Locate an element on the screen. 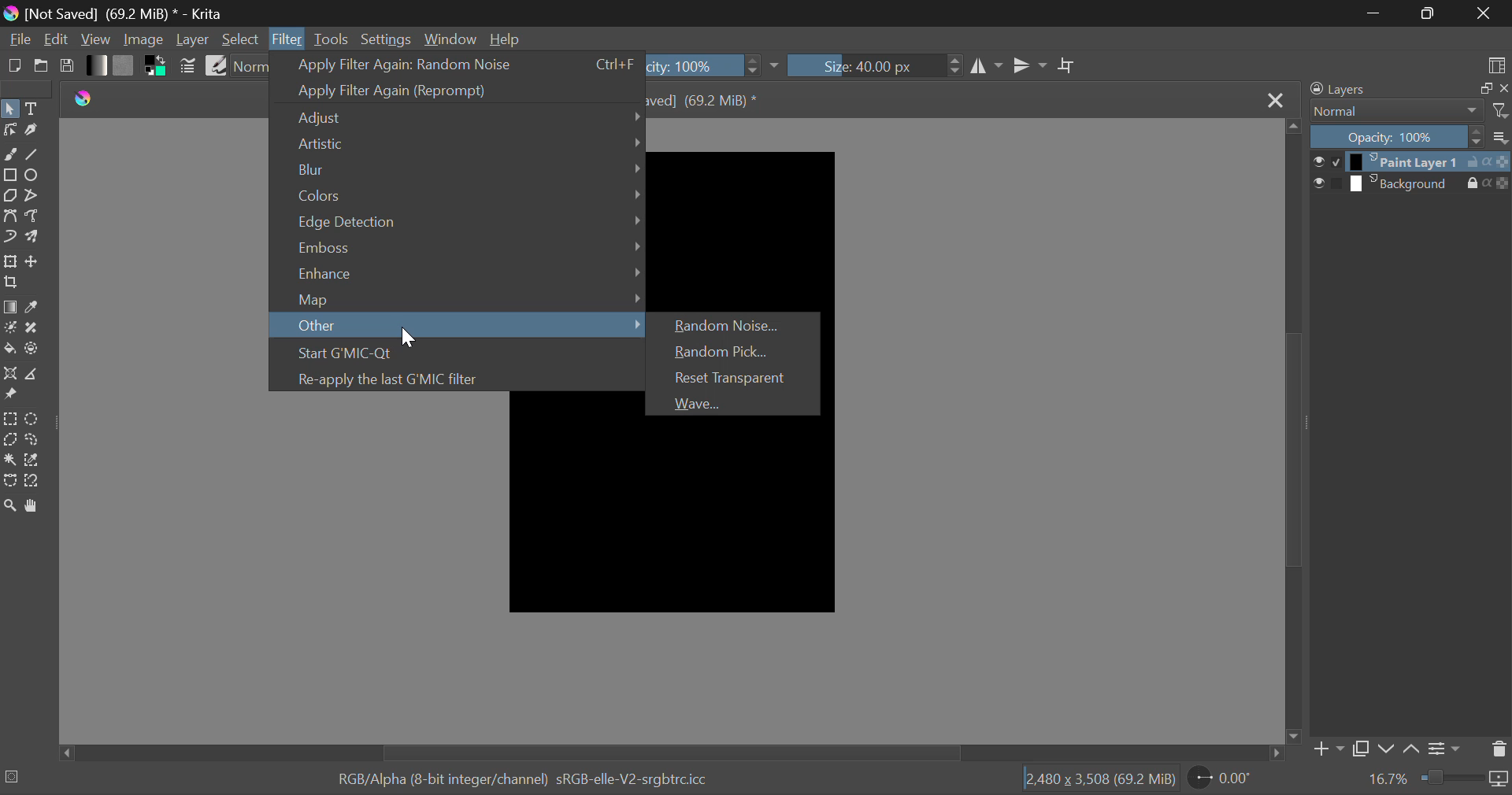 This screenshot has width=1512, height=795. background is located at coordinates (1401, 183).